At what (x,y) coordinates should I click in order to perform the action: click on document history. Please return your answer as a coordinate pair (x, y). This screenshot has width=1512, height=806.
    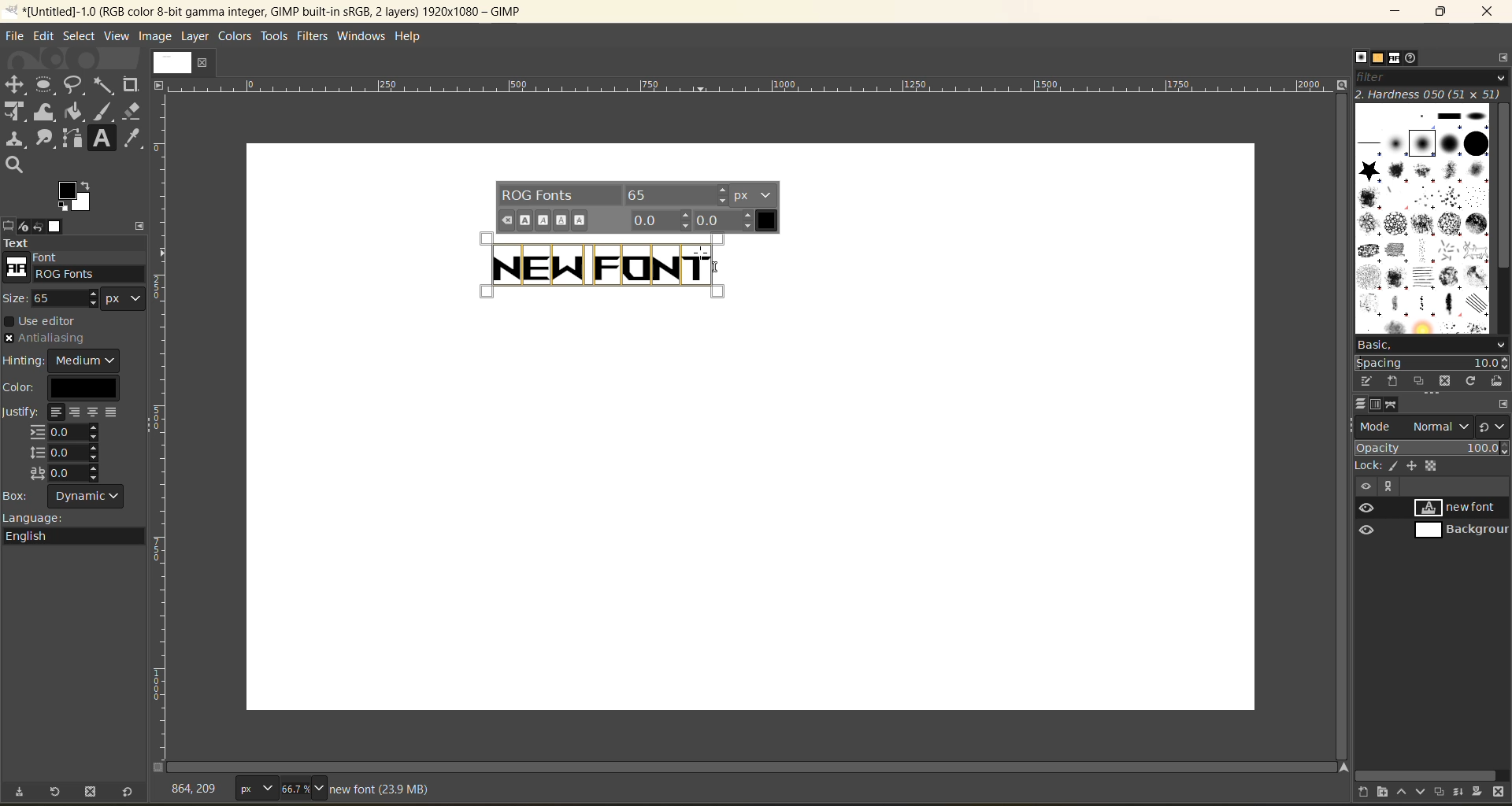
    Looking at the image, I should click on (1412, 60).